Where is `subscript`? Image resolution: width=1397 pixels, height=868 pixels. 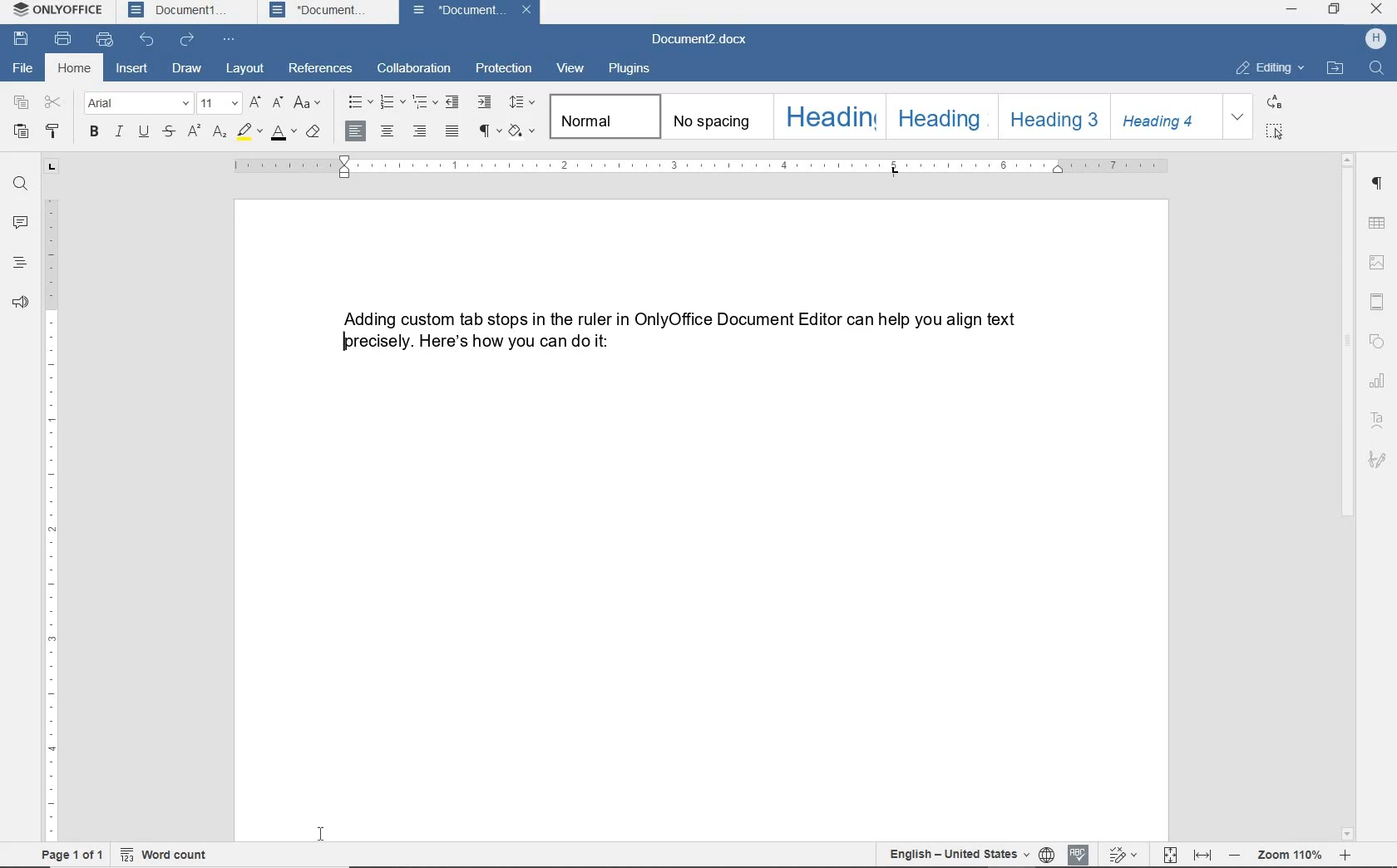 subscript is located at coordinates (220, 133).